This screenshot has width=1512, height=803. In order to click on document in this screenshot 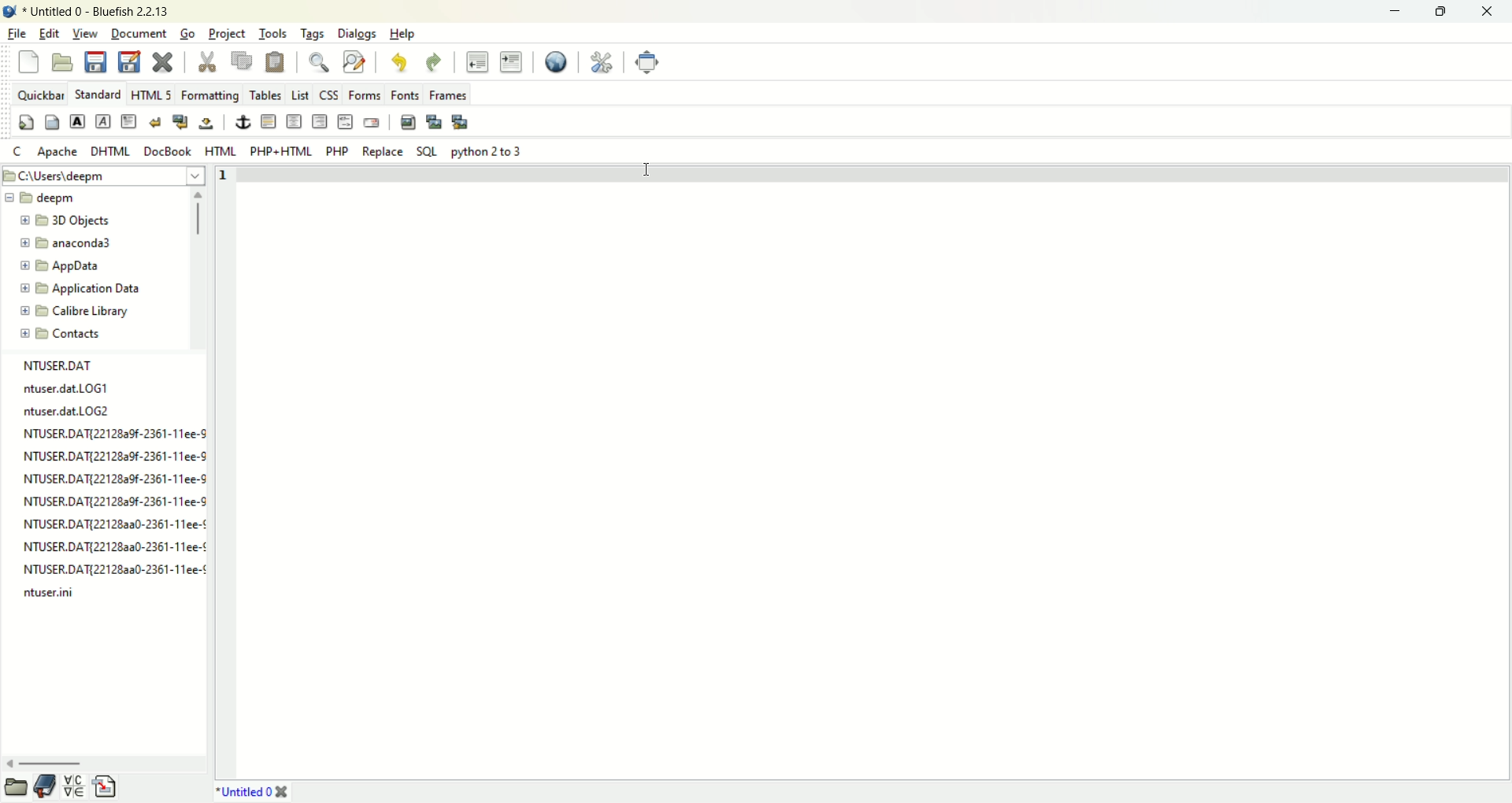, I will do `click(138, 33)`.